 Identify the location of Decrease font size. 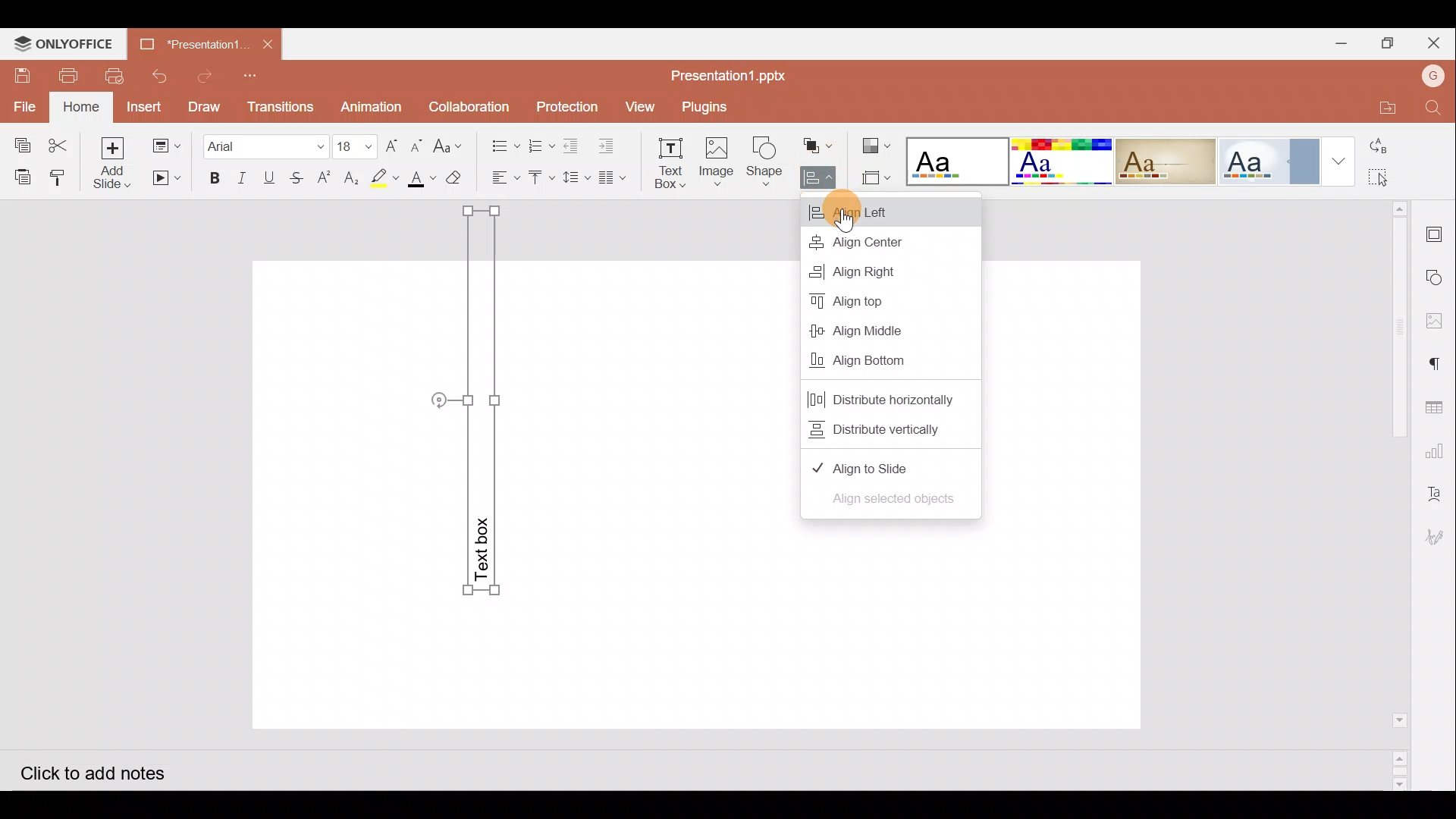
(416, 144).